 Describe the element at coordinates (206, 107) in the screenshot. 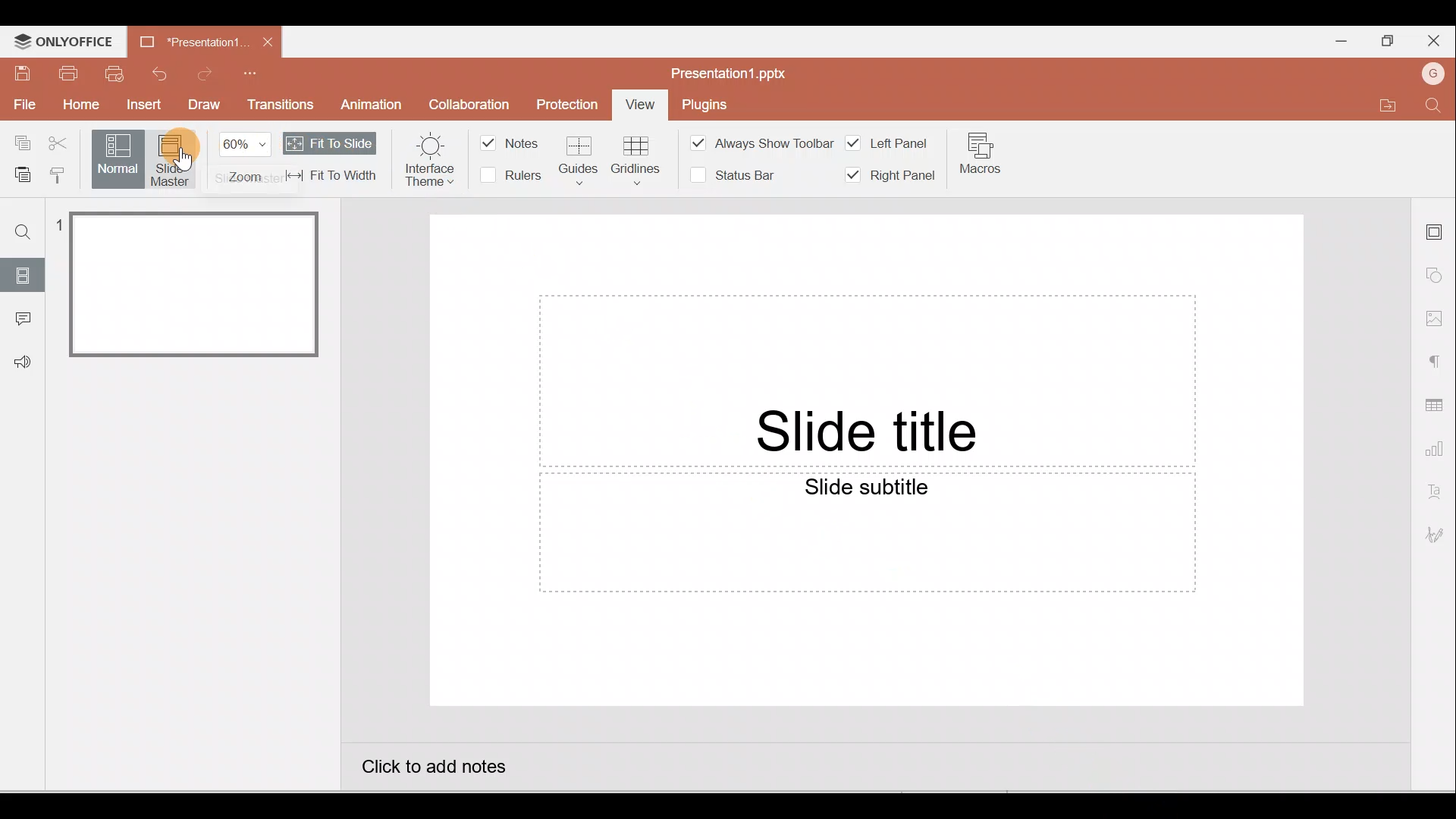

I see `Draw` at that location.